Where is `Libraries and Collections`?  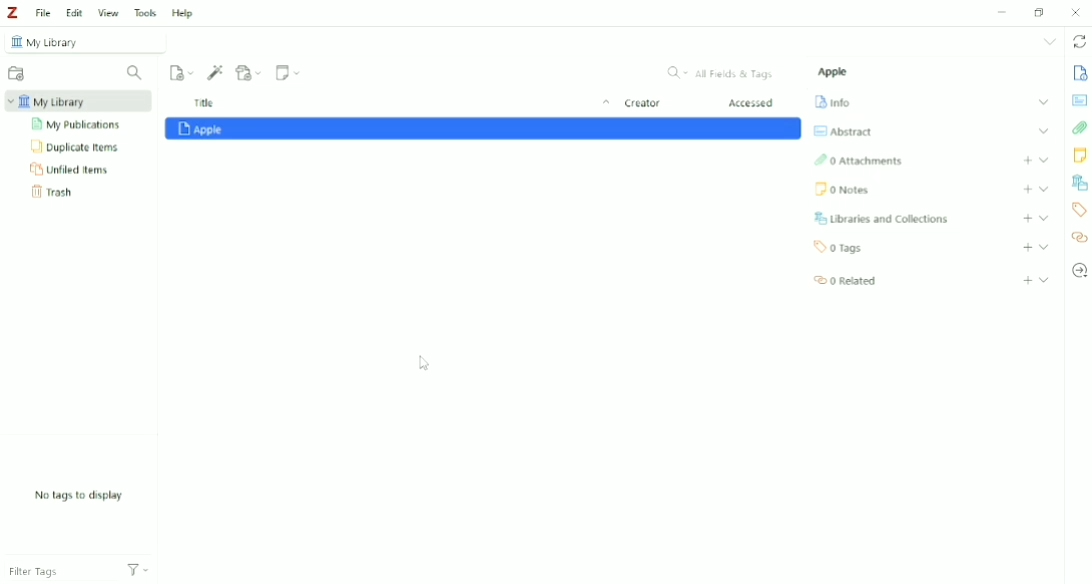 Libraries and Collections is located at coordinates (1079, 183).